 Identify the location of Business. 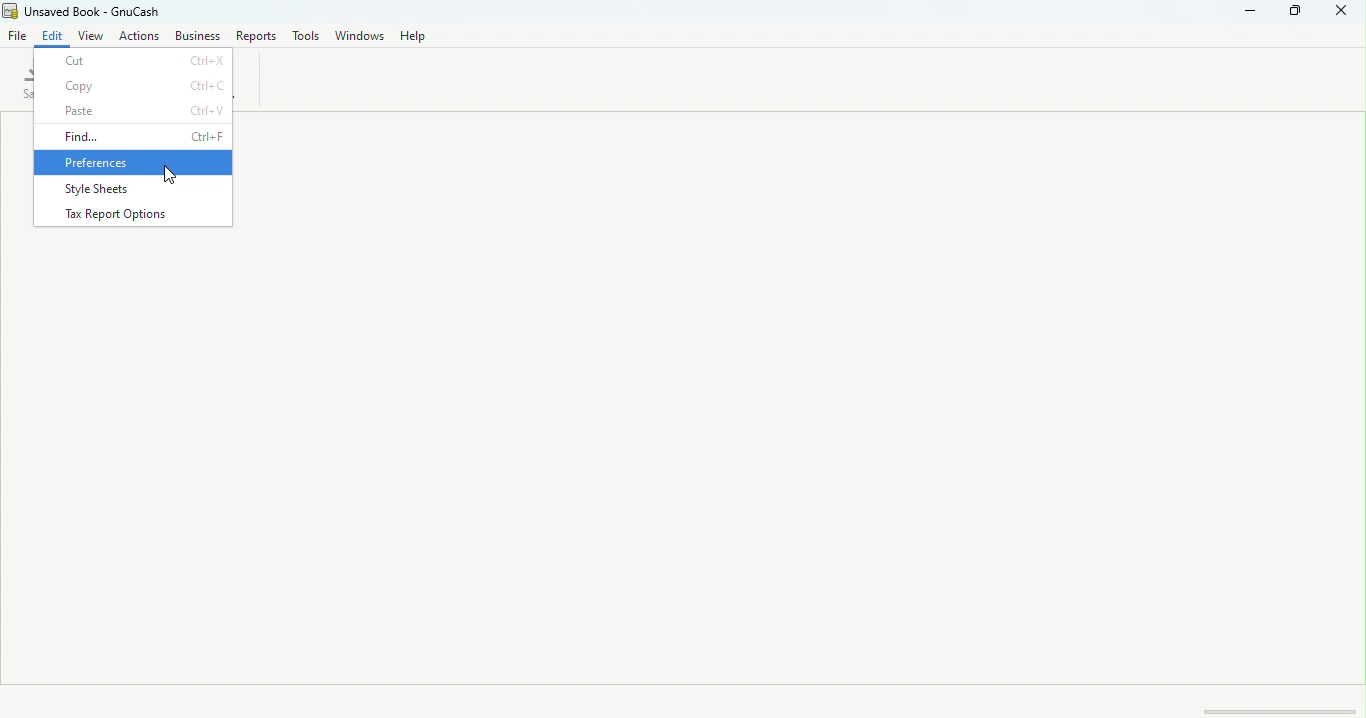
(197, 34).